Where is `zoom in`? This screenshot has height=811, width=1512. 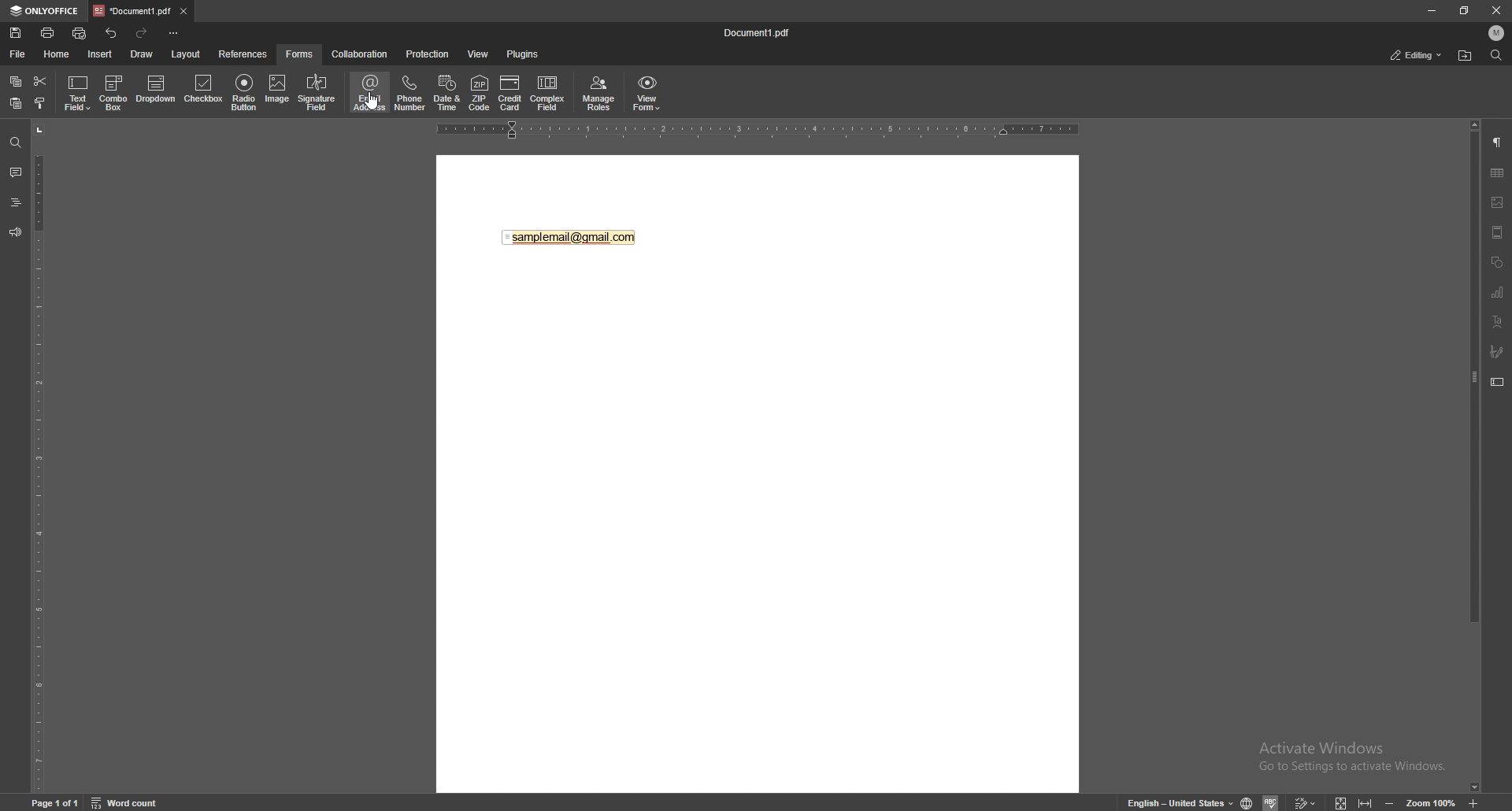
zoom in is located at coordinates (1473, 800).